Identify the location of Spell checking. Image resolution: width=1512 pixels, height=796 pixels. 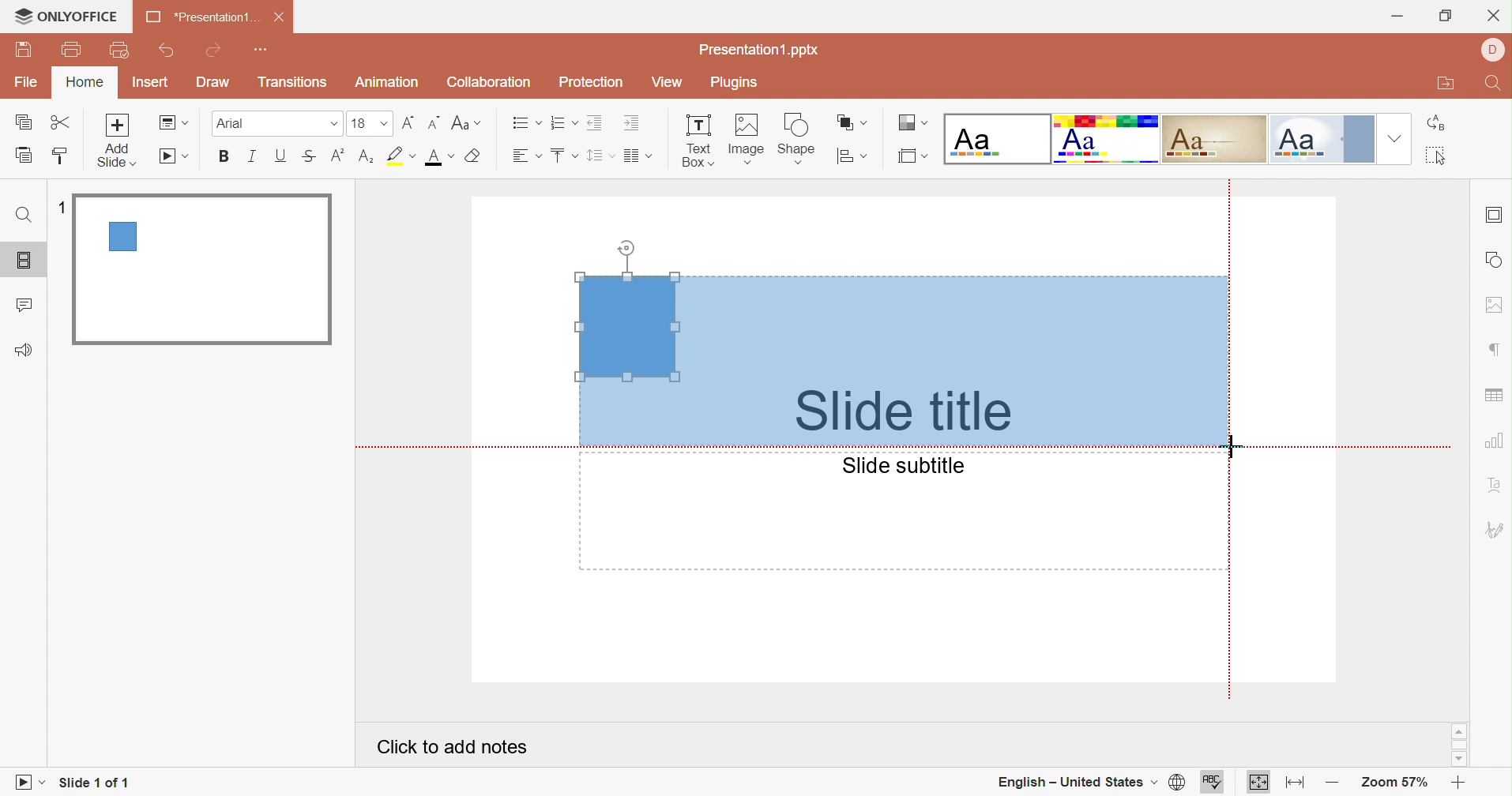
(1213, 784).